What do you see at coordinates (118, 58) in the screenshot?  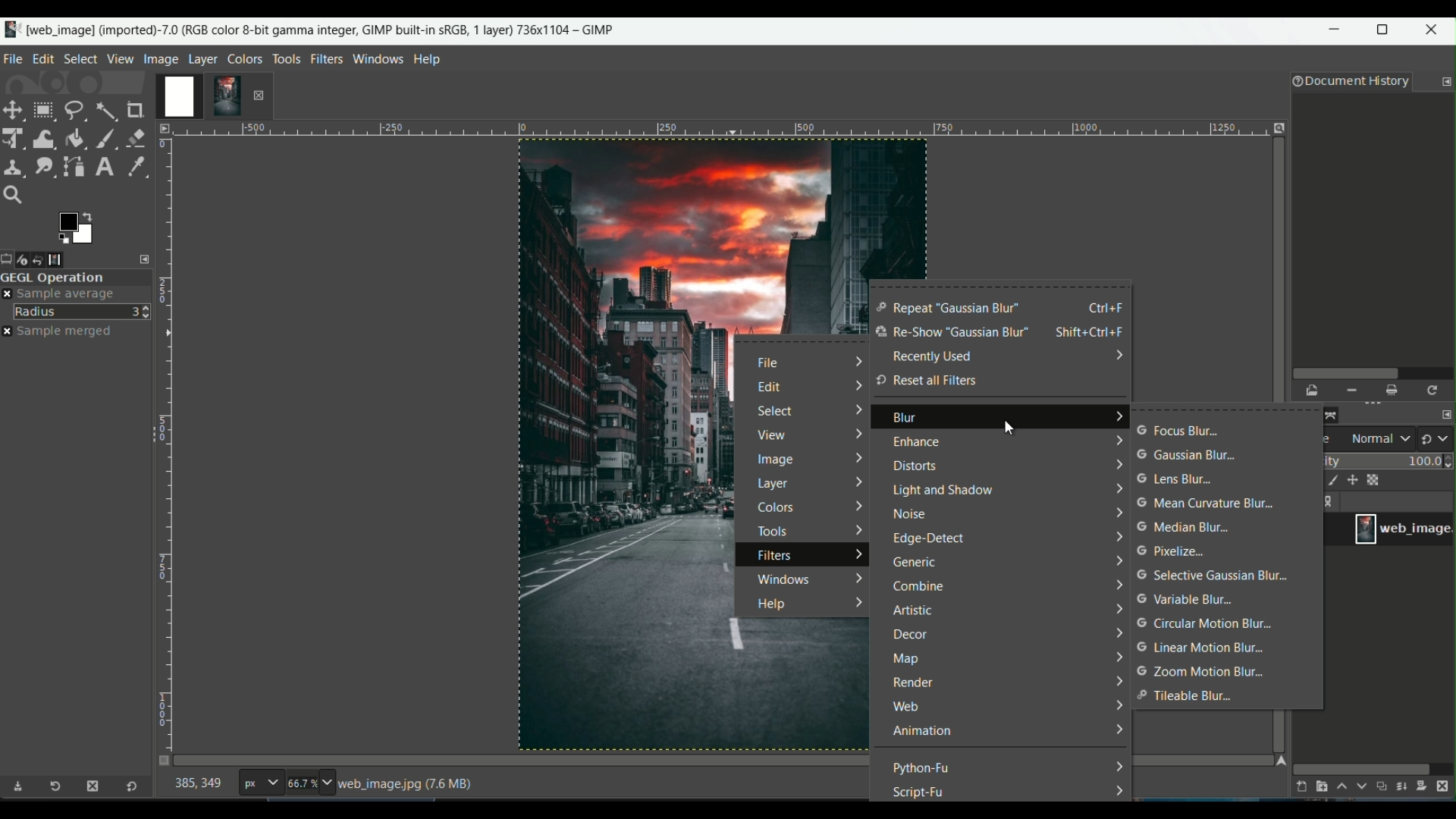 I see `view tab` at bounding box center [118, 58].